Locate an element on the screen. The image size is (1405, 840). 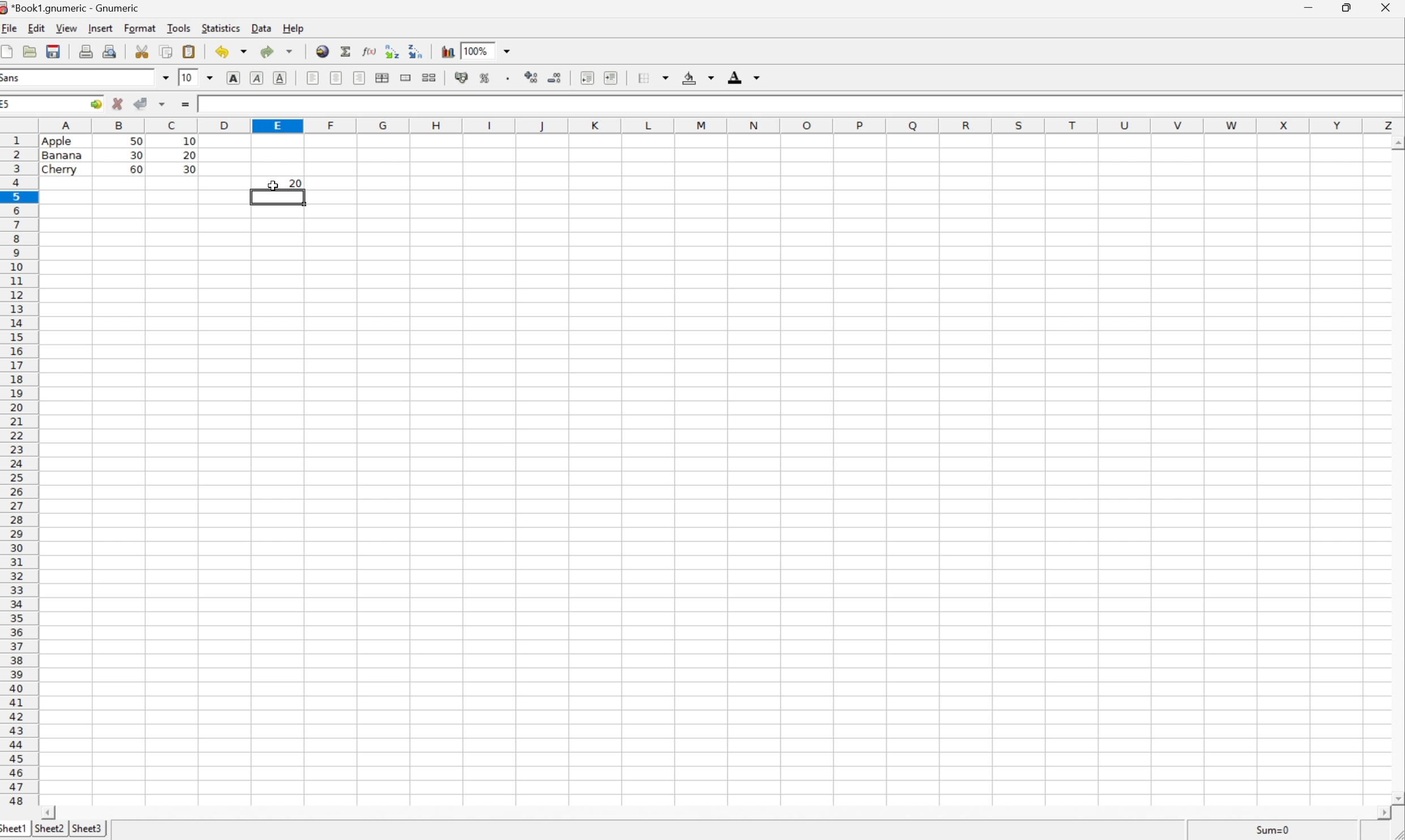
cancel changes is located at coordinates (118, 104).